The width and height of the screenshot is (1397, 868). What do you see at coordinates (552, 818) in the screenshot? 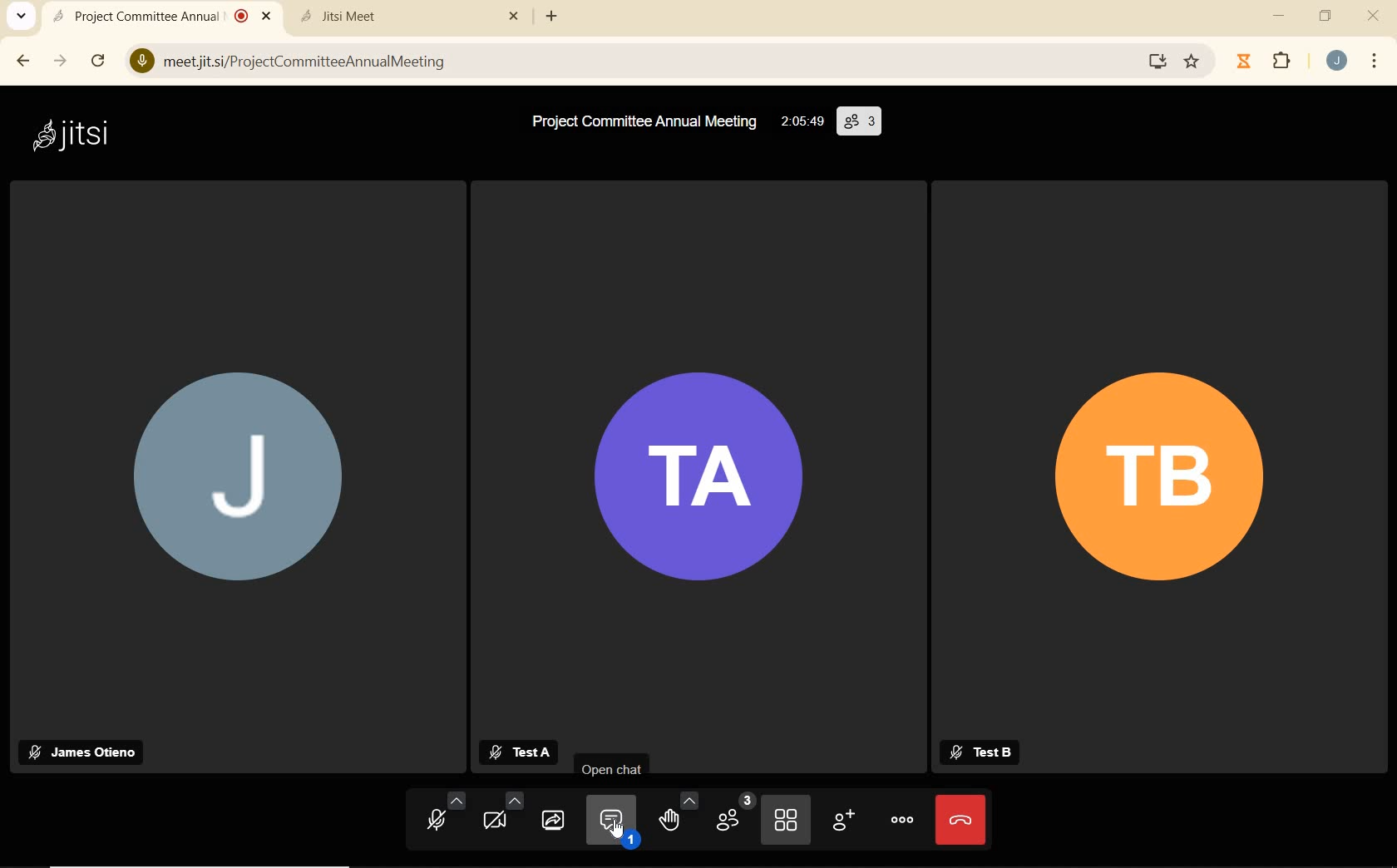
I see `start screen sharing` at bounding box center [552, 818].